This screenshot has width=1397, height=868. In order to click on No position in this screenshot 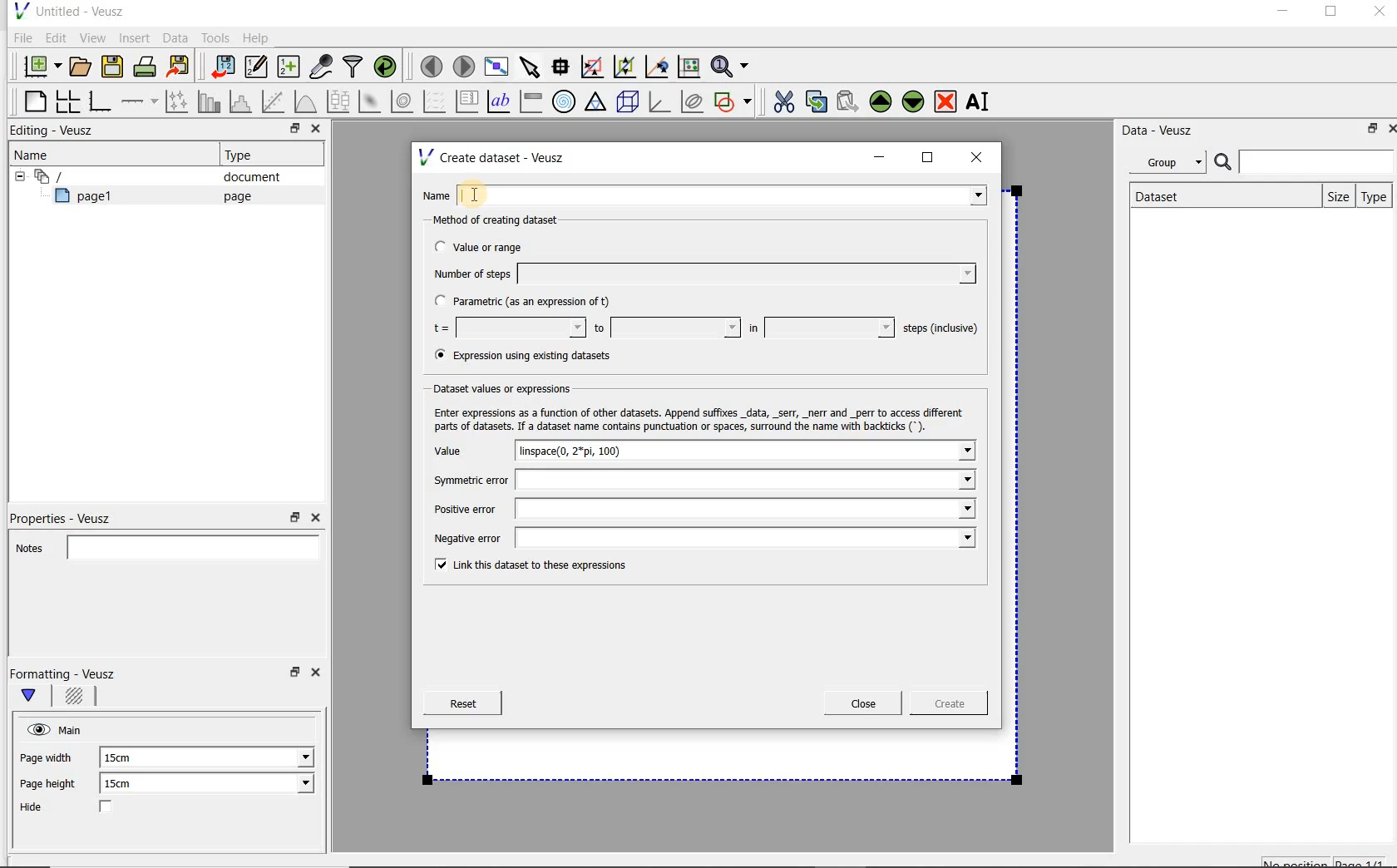, I will do `click(1297, 861)`.